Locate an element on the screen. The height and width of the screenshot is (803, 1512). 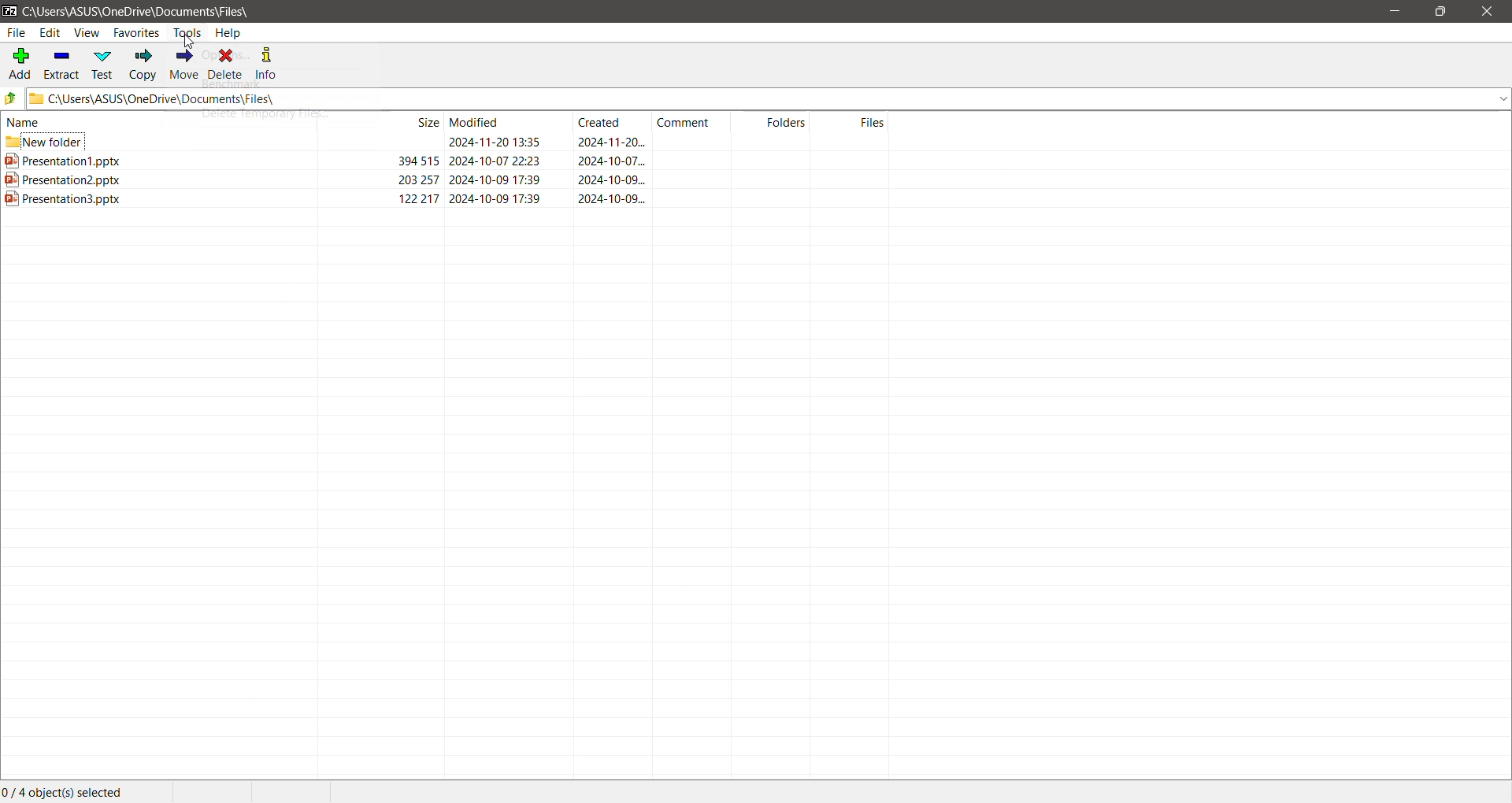
cursor is located at coordinates (192, 42).